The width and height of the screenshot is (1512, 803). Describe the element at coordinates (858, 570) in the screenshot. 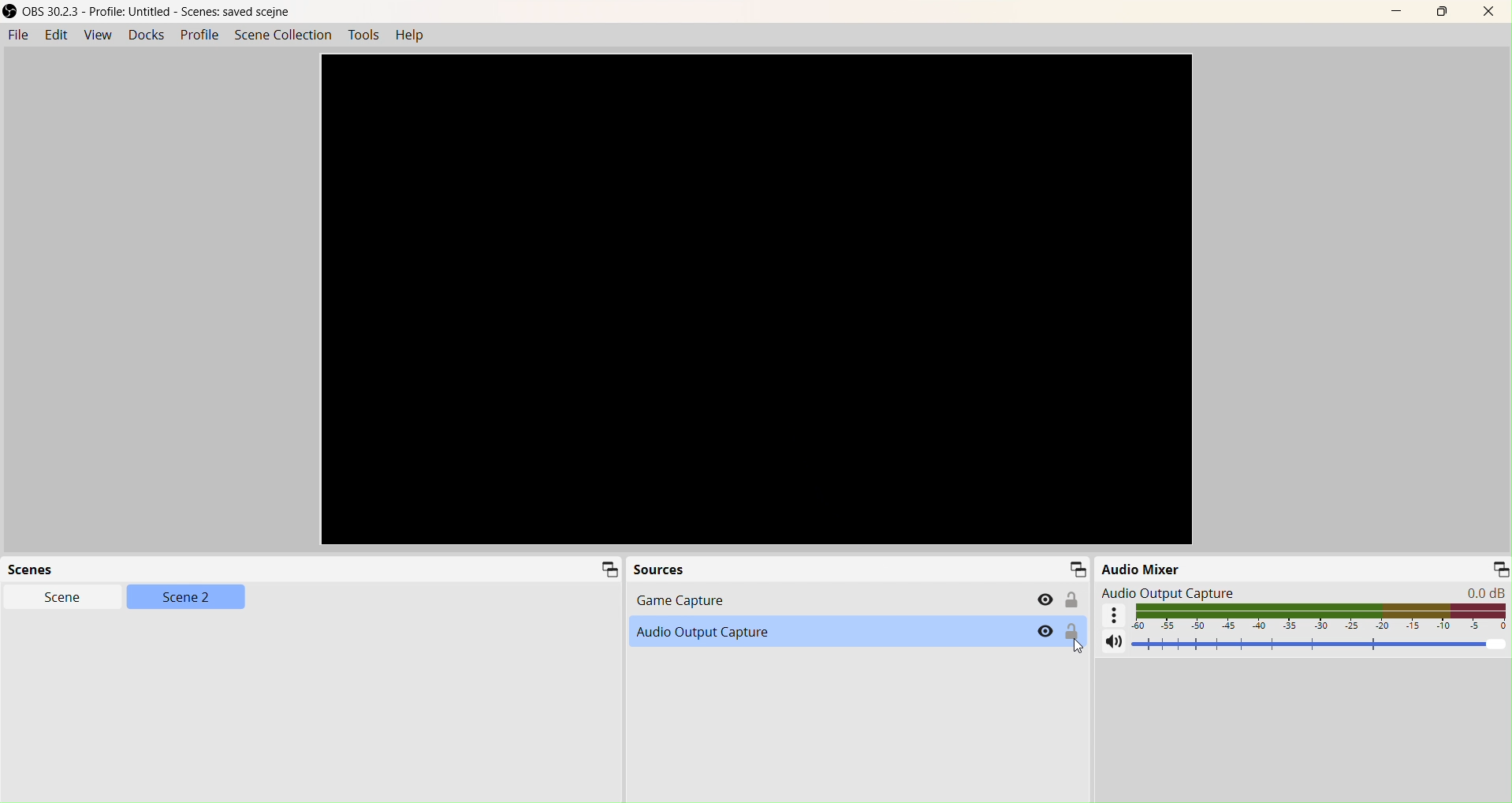

I see `Sources` at that location.